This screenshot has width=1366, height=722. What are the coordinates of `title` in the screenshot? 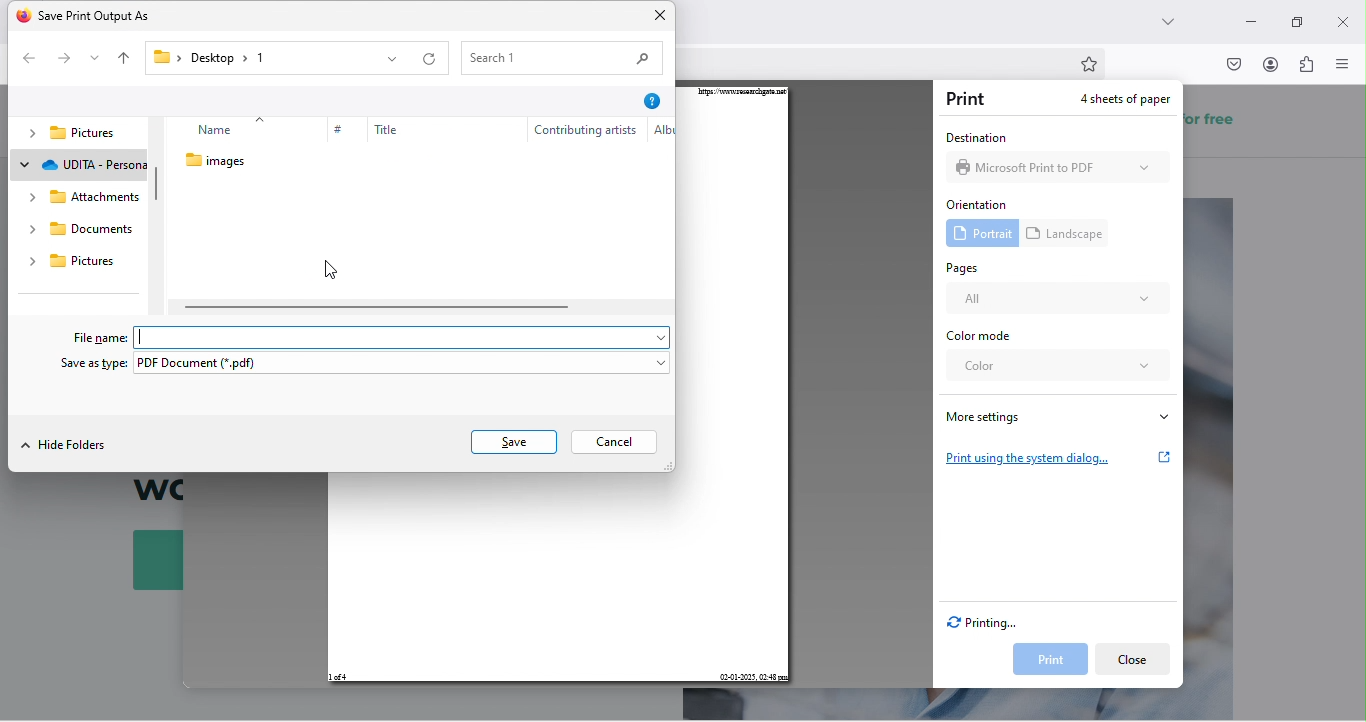 It's located at (380, 135).